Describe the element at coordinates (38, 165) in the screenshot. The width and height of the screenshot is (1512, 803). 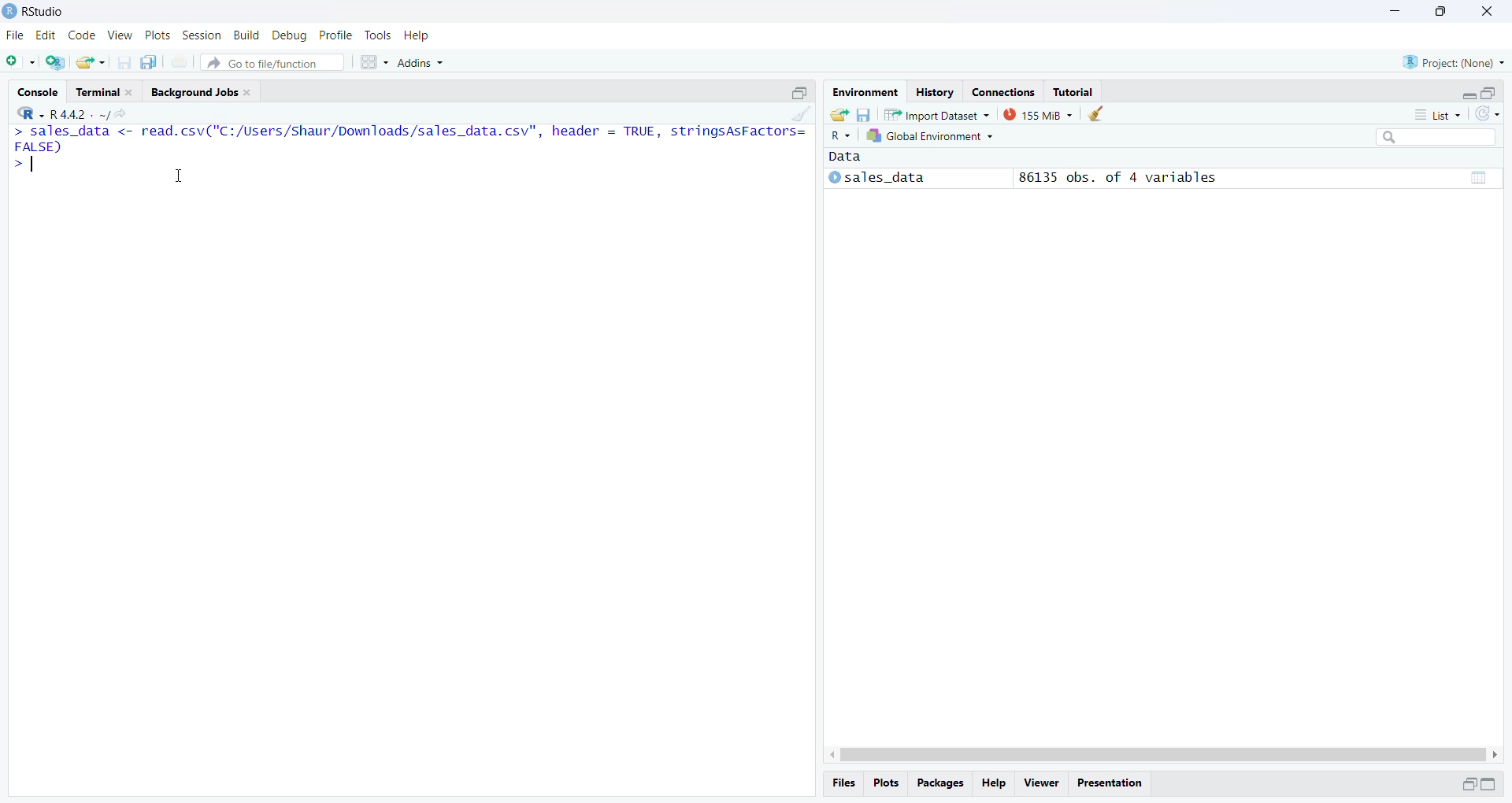
I see `Input cursor` at that location.